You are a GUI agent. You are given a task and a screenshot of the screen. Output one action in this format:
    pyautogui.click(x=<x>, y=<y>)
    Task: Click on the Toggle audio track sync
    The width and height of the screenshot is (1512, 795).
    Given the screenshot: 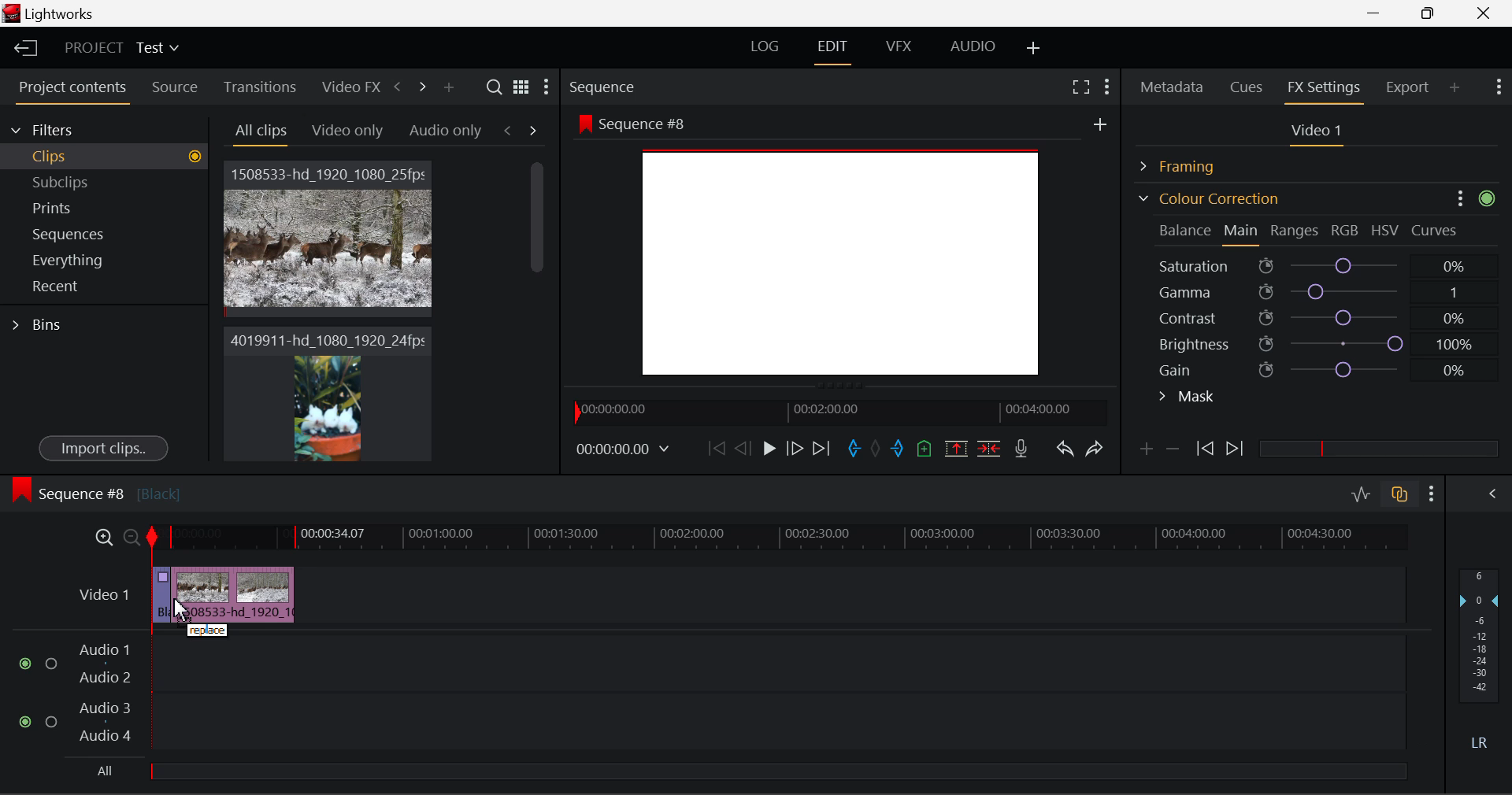 What is the action you would take?
    pyautogui.click(x=1400, y=493)
    